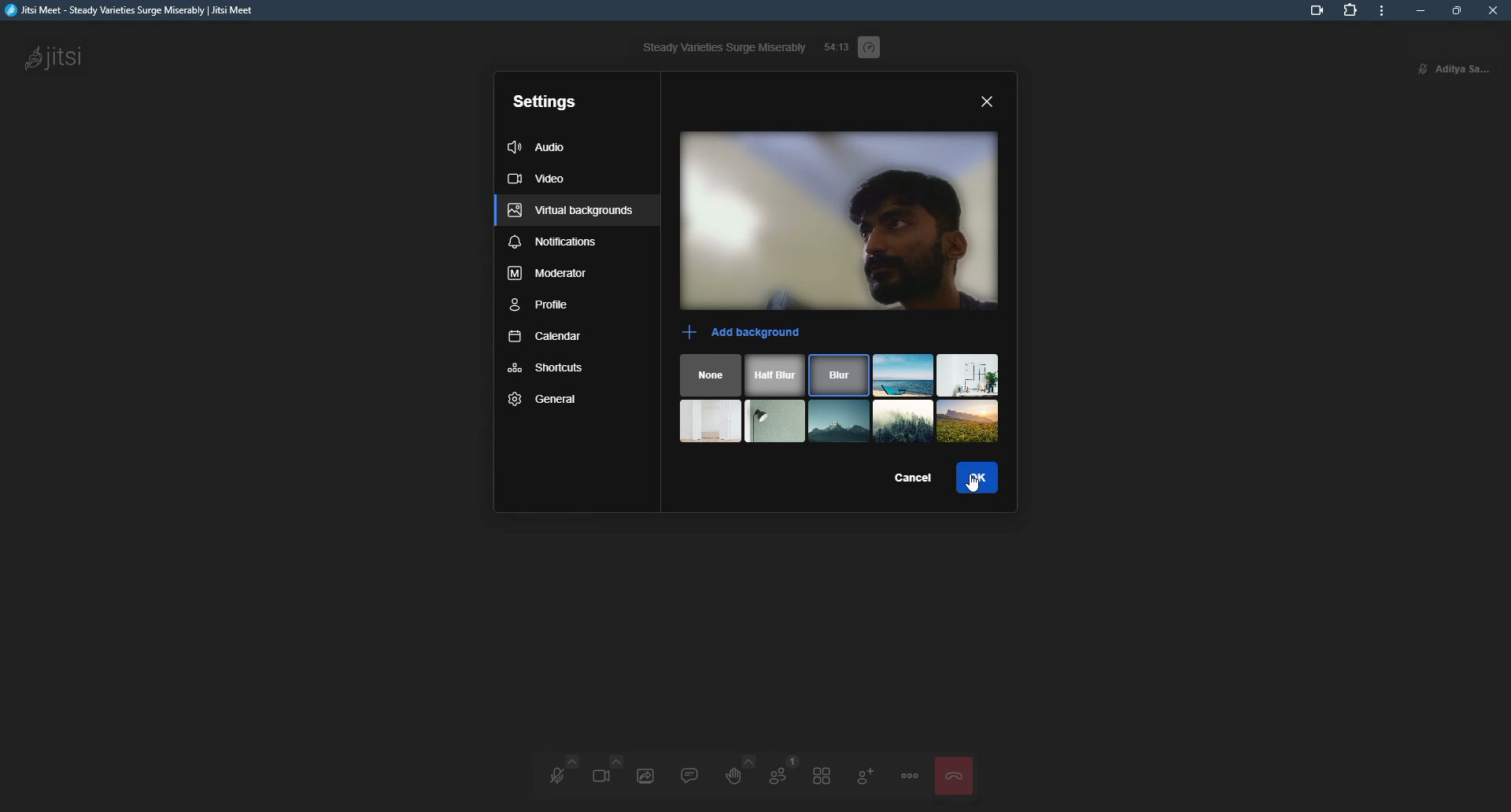 This screenshot has height=812, width=1511. I want to click on video, so click(541, 179).